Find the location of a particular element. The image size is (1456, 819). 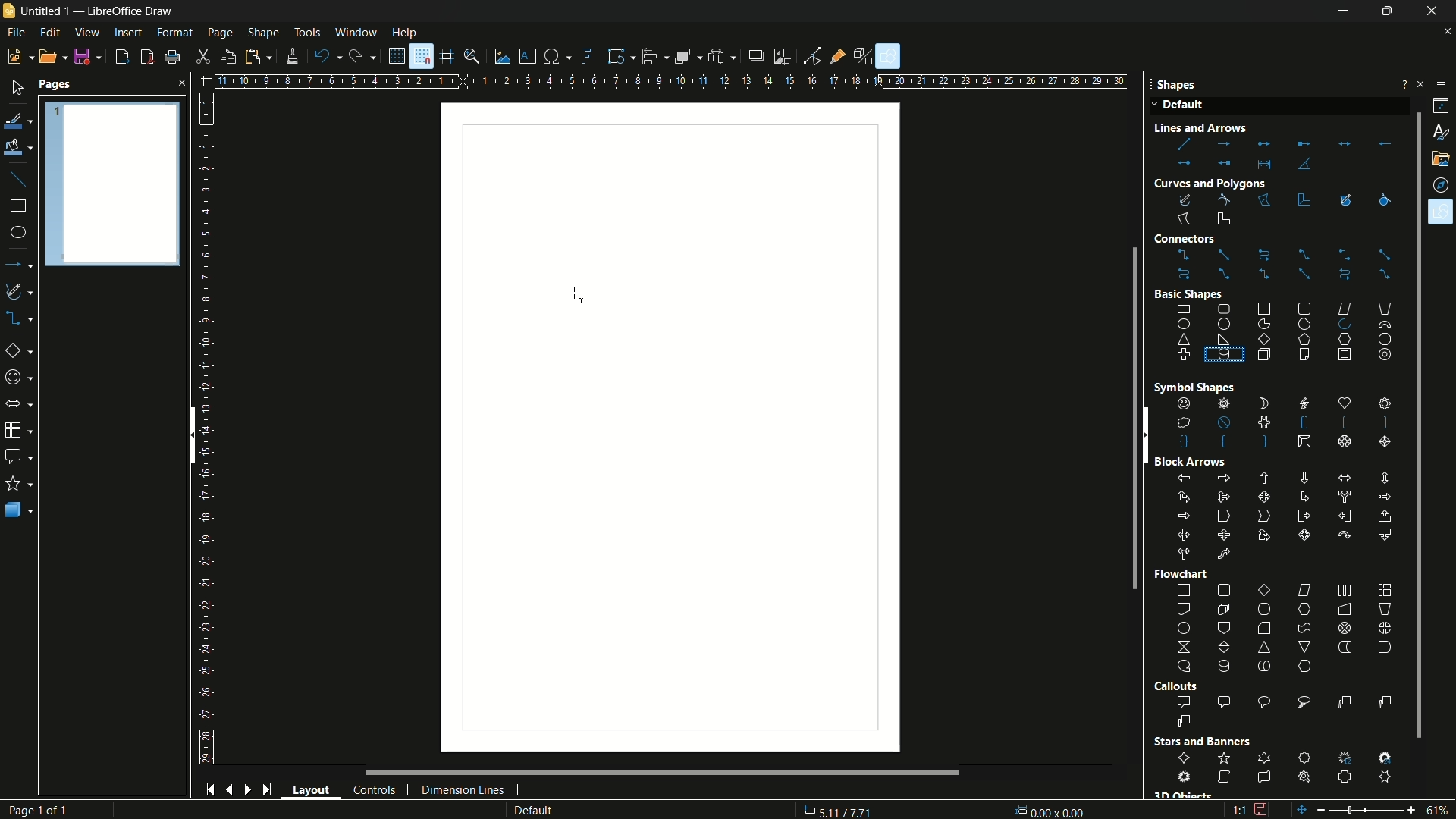

callout shapes is located at coordinates (17, 456).